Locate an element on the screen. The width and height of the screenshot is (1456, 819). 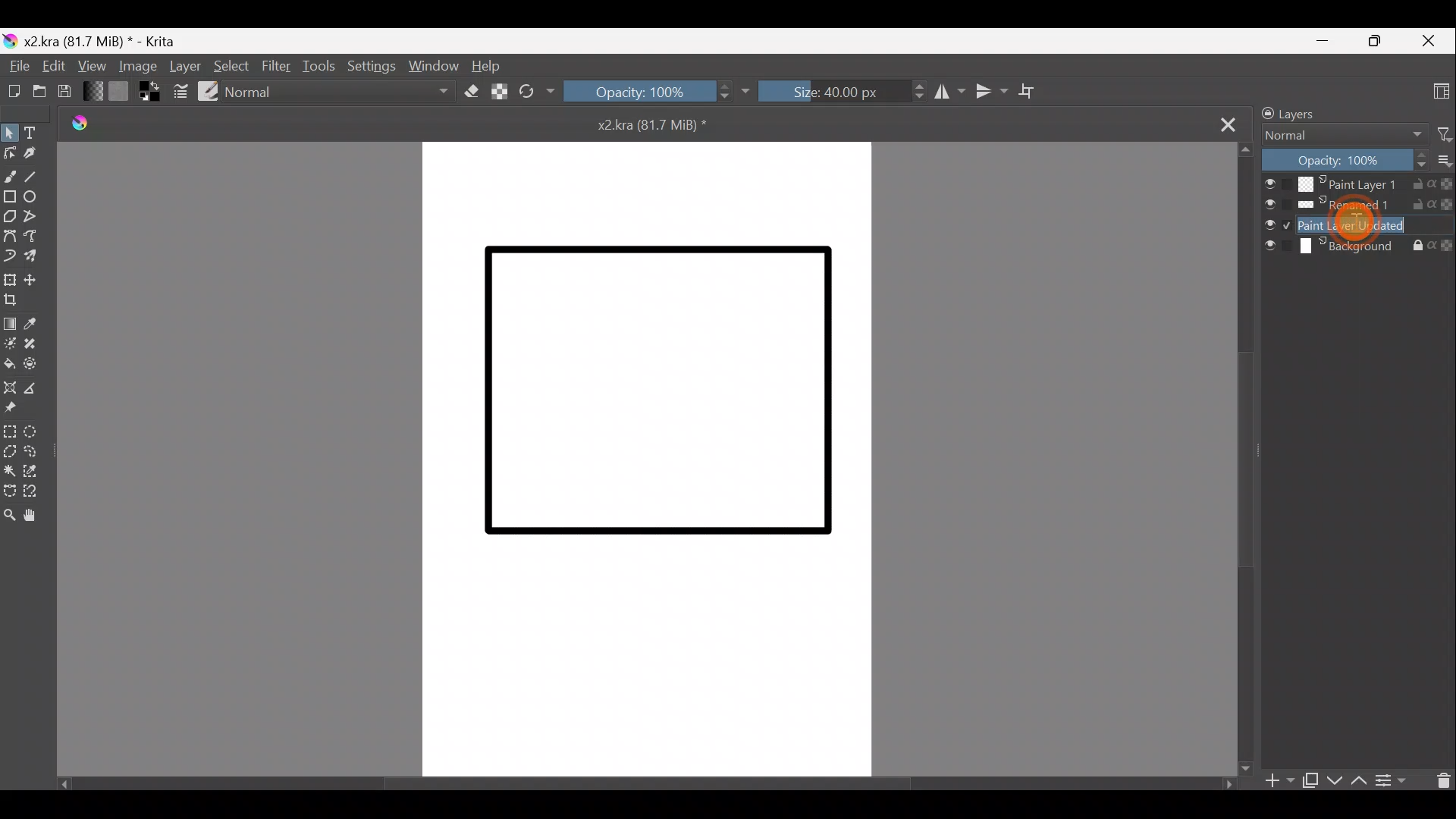
Settings is located at coordinates (369, 68).